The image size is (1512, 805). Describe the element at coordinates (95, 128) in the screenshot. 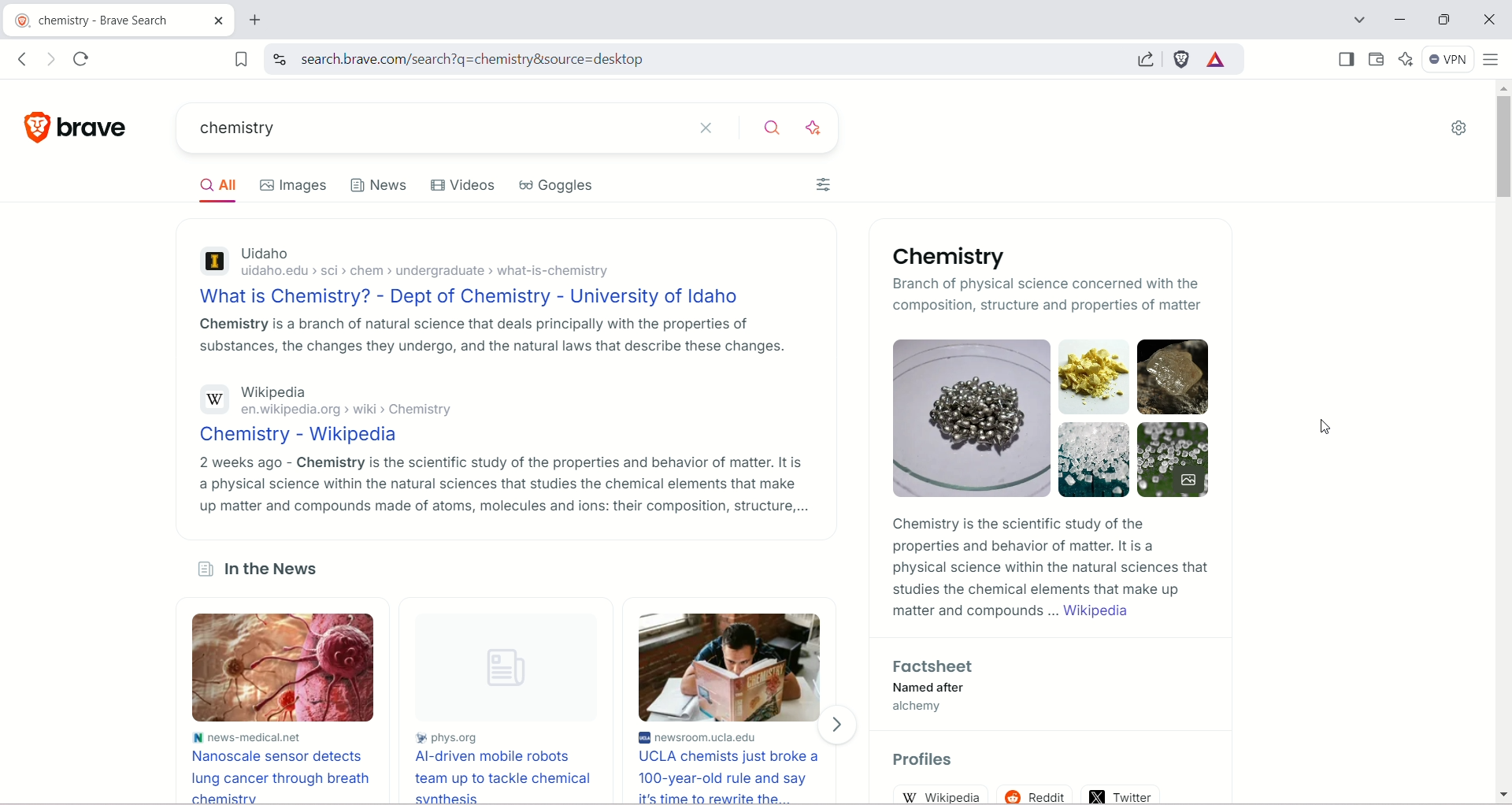

I see `brave` at that location.